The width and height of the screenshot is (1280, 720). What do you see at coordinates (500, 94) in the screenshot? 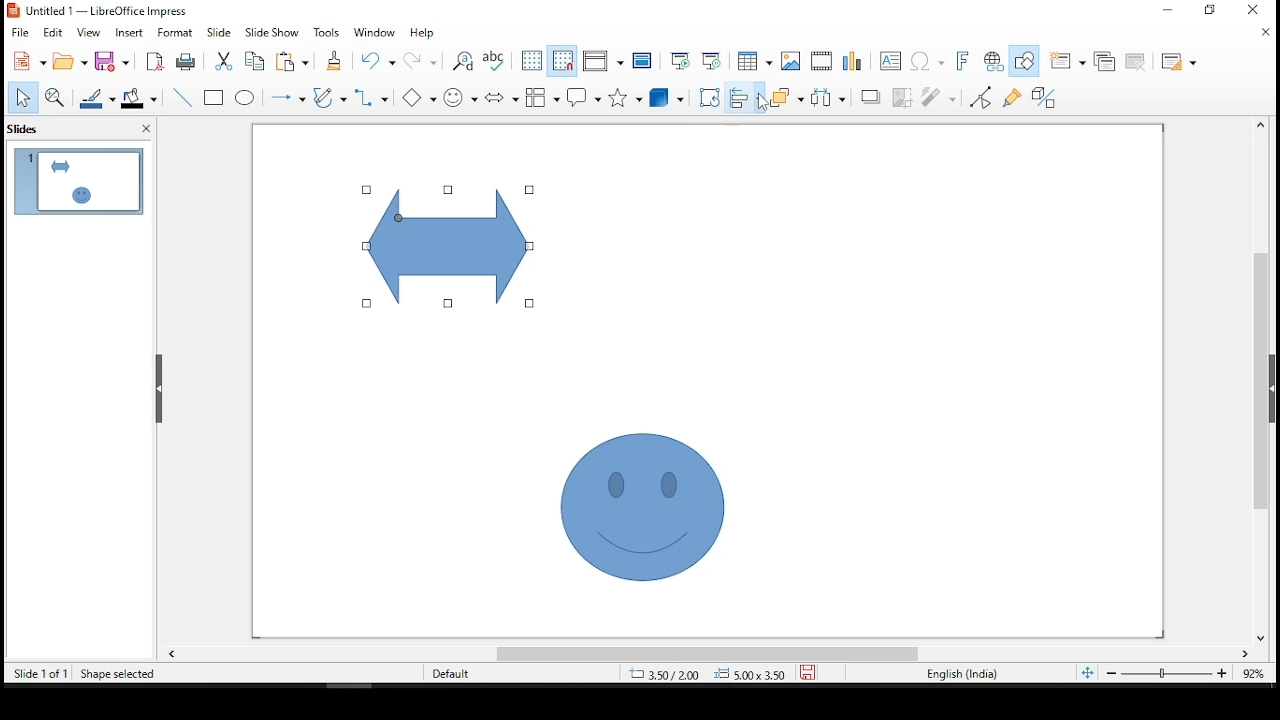
I see `block arrows` at bounding box center [500, 94].